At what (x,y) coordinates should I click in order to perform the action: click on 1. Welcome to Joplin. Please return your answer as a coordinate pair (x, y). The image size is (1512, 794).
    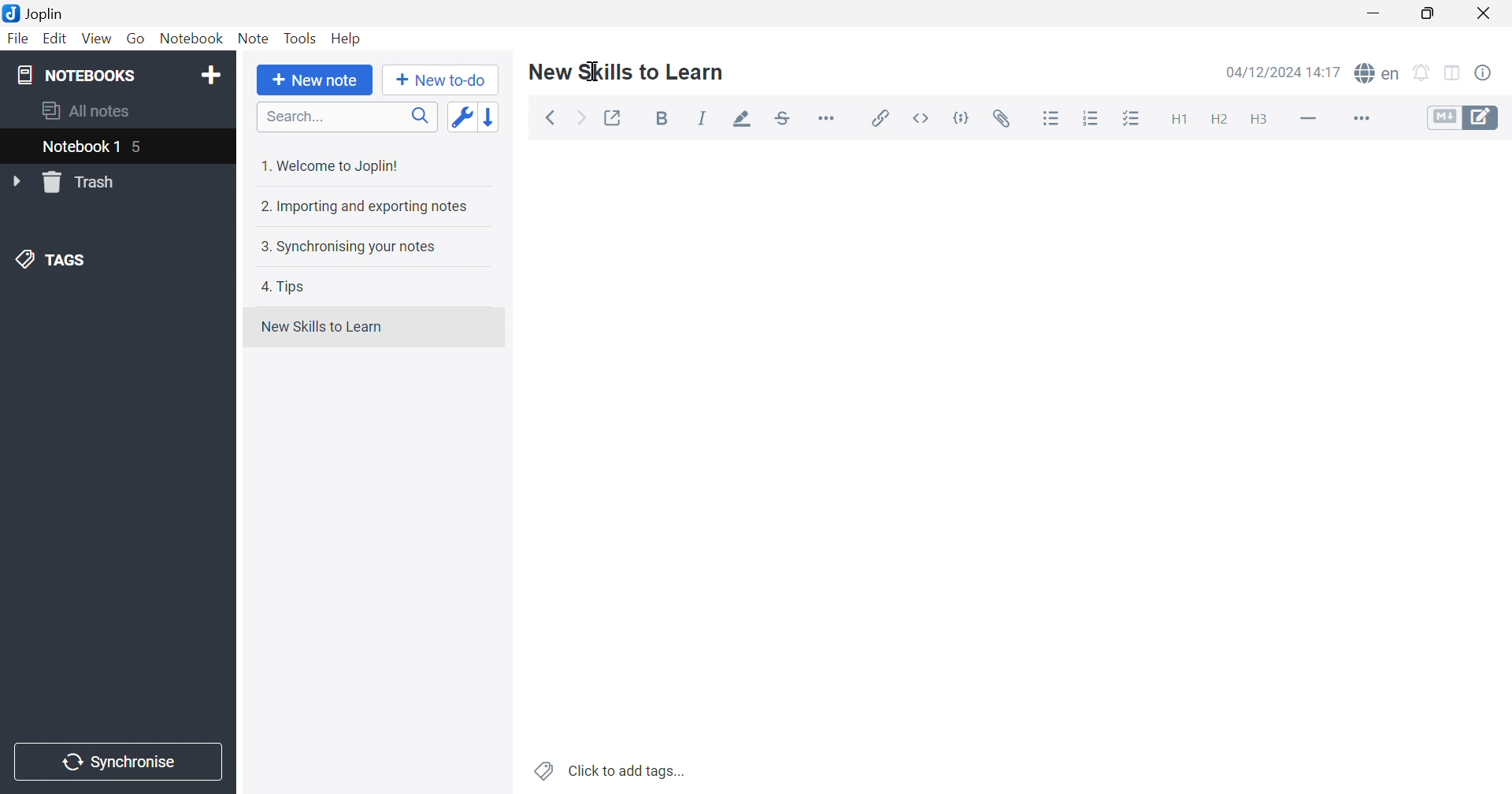
    Looking at the image, I should click on (328, 165).